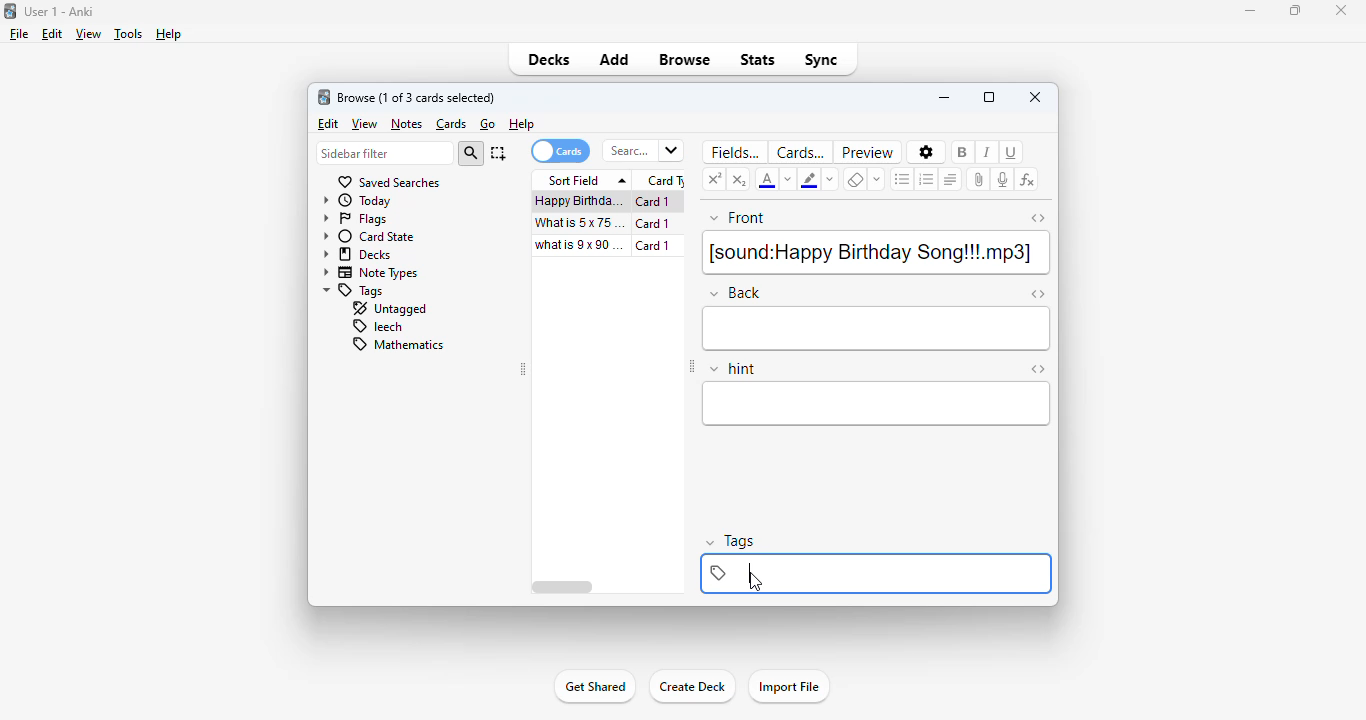  Describe the element at coordinates (580, 222) in the screenshot. I see `what is 5x75=?` at that location.